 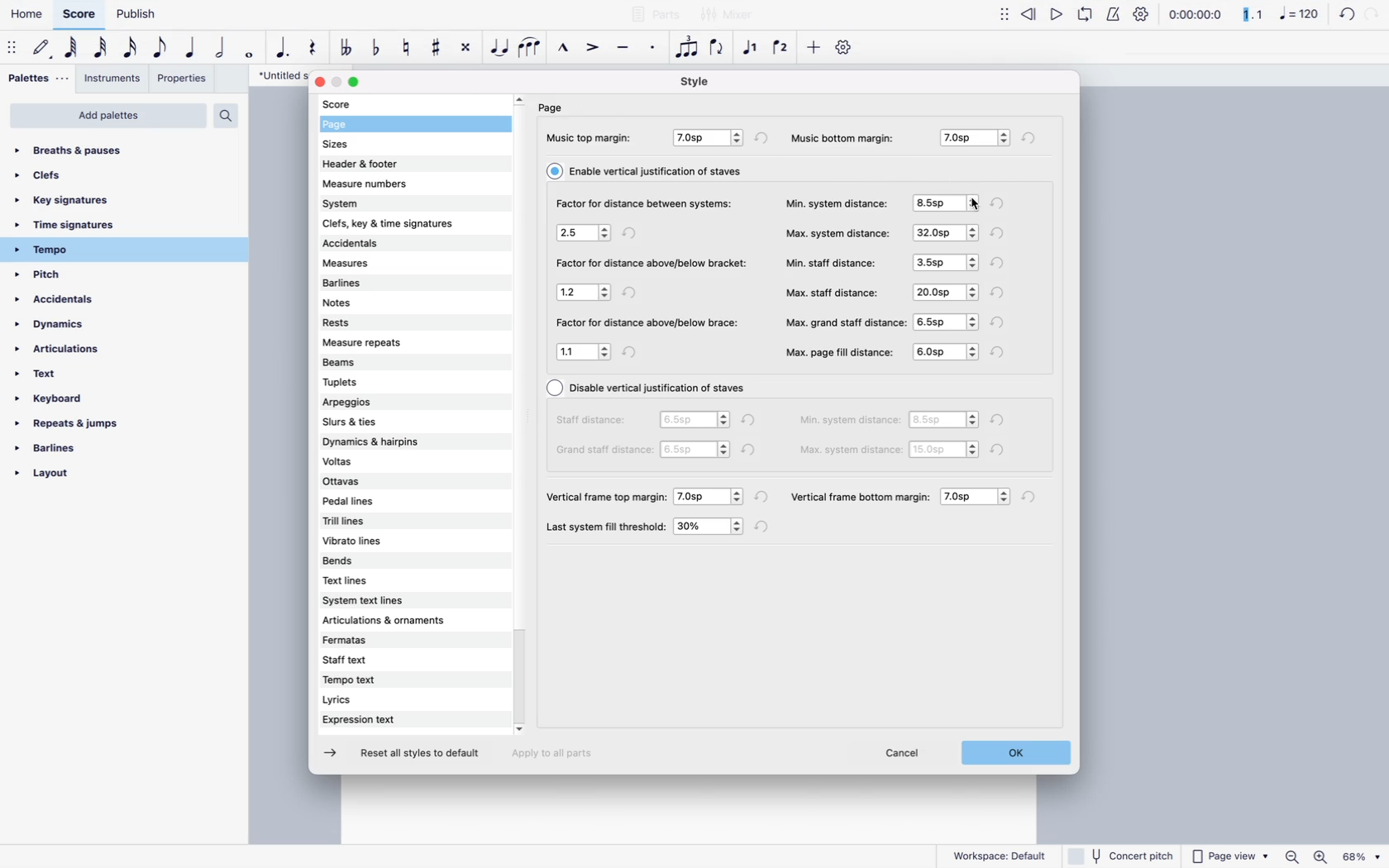 What do you see at coordinates (377, 380) in the screenshot?
I see `tuplets` at bounding box center [377, 380].